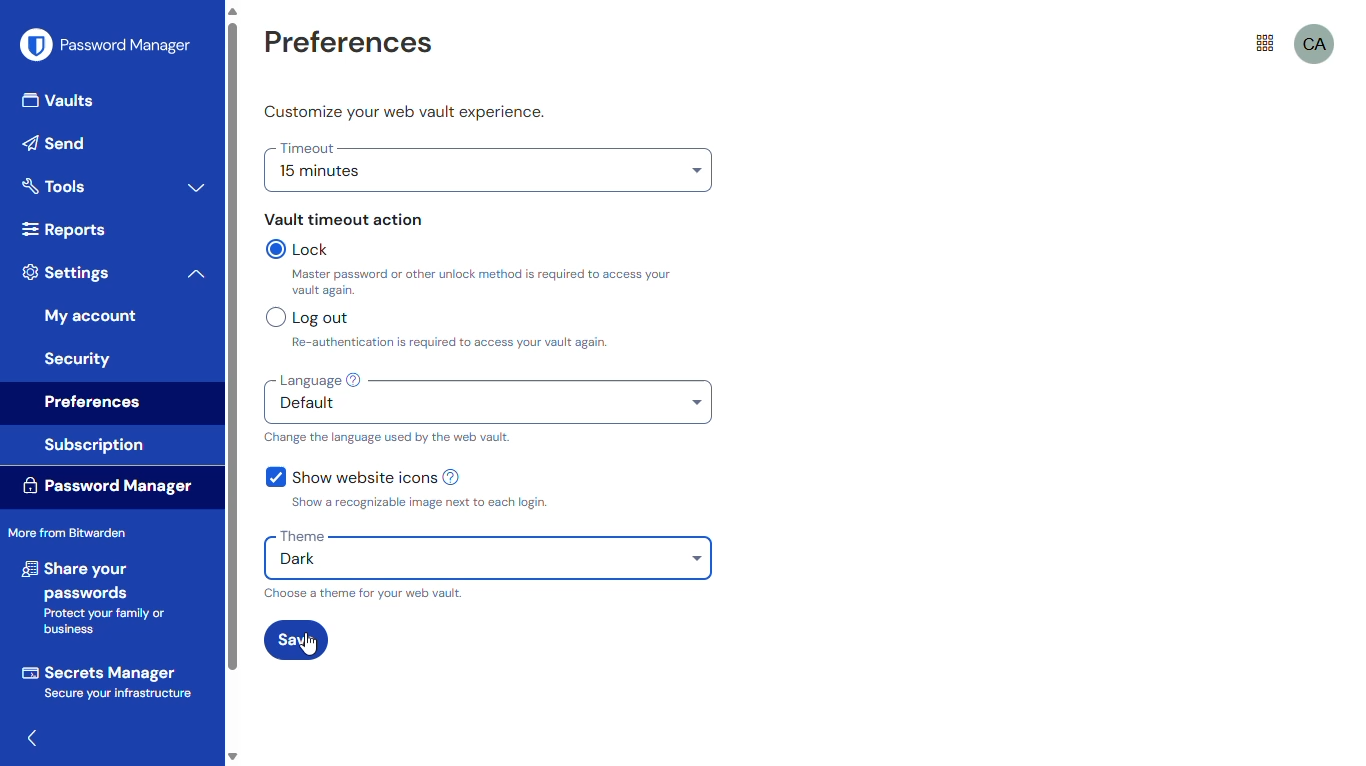 This screenshot has width=1366, height=766. Describe the element at coordinates (35, 739) in the screenshot. I see `hide` at that location.